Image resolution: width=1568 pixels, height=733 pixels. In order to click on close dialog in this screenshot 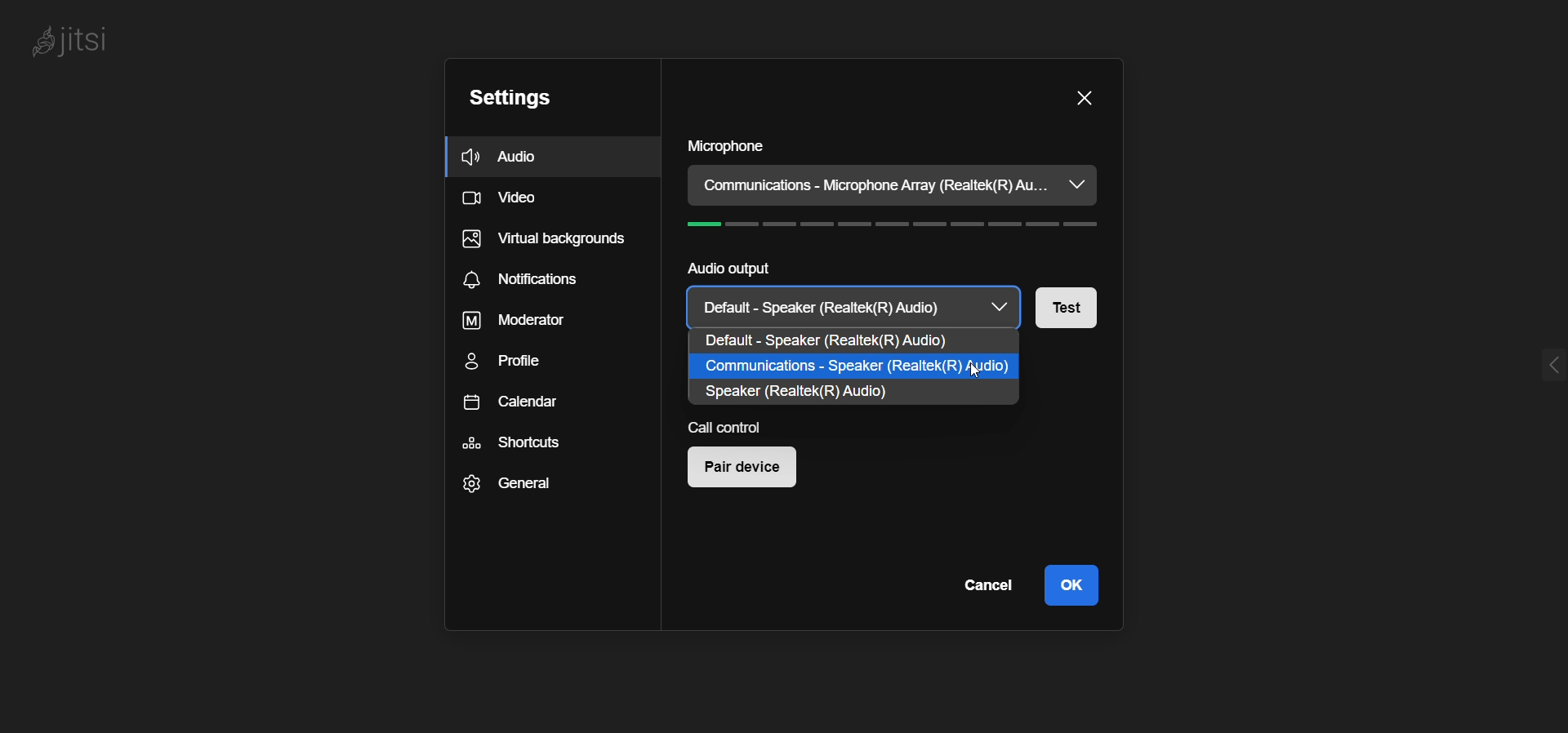, I will do `click(1083, 97)`.